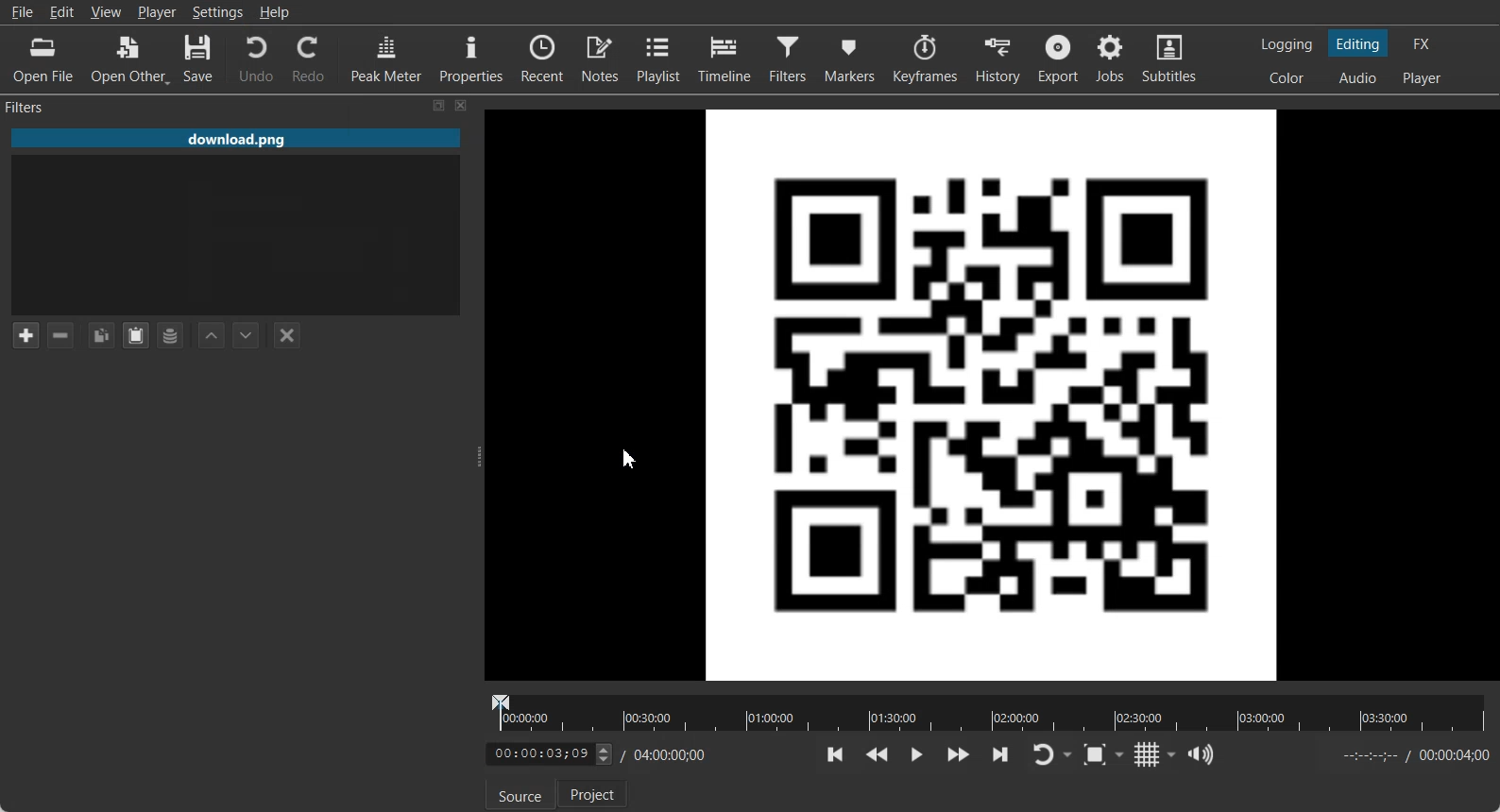 The image size is (1500, 812). What do you see at coordinates (1156, 754) in the screenshot?
I see `Toggle grid display` at bounding box center [1156, 754].